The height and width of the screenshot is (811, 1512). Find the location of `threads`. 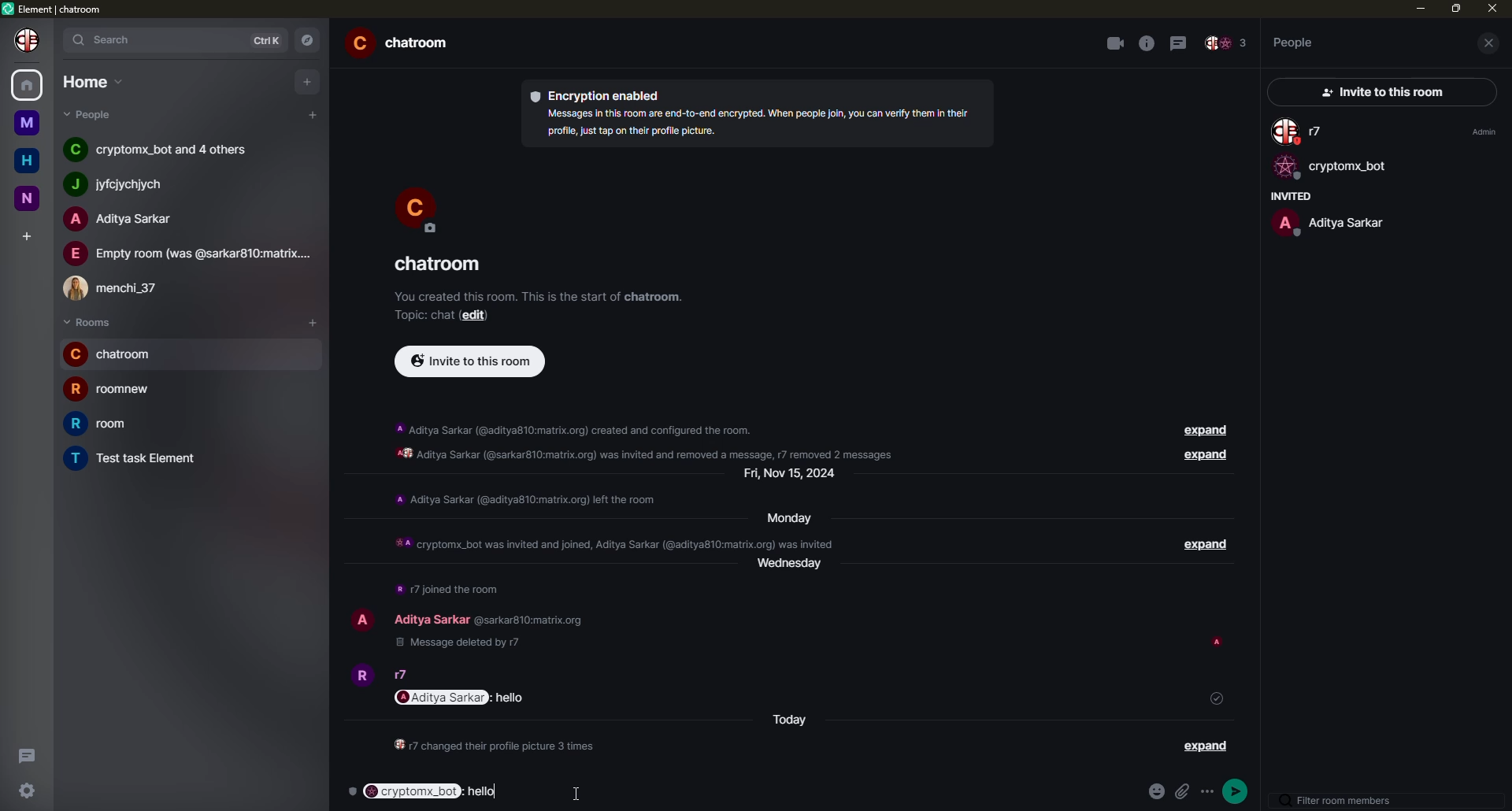

threads is located at coordinates (1181, 42).